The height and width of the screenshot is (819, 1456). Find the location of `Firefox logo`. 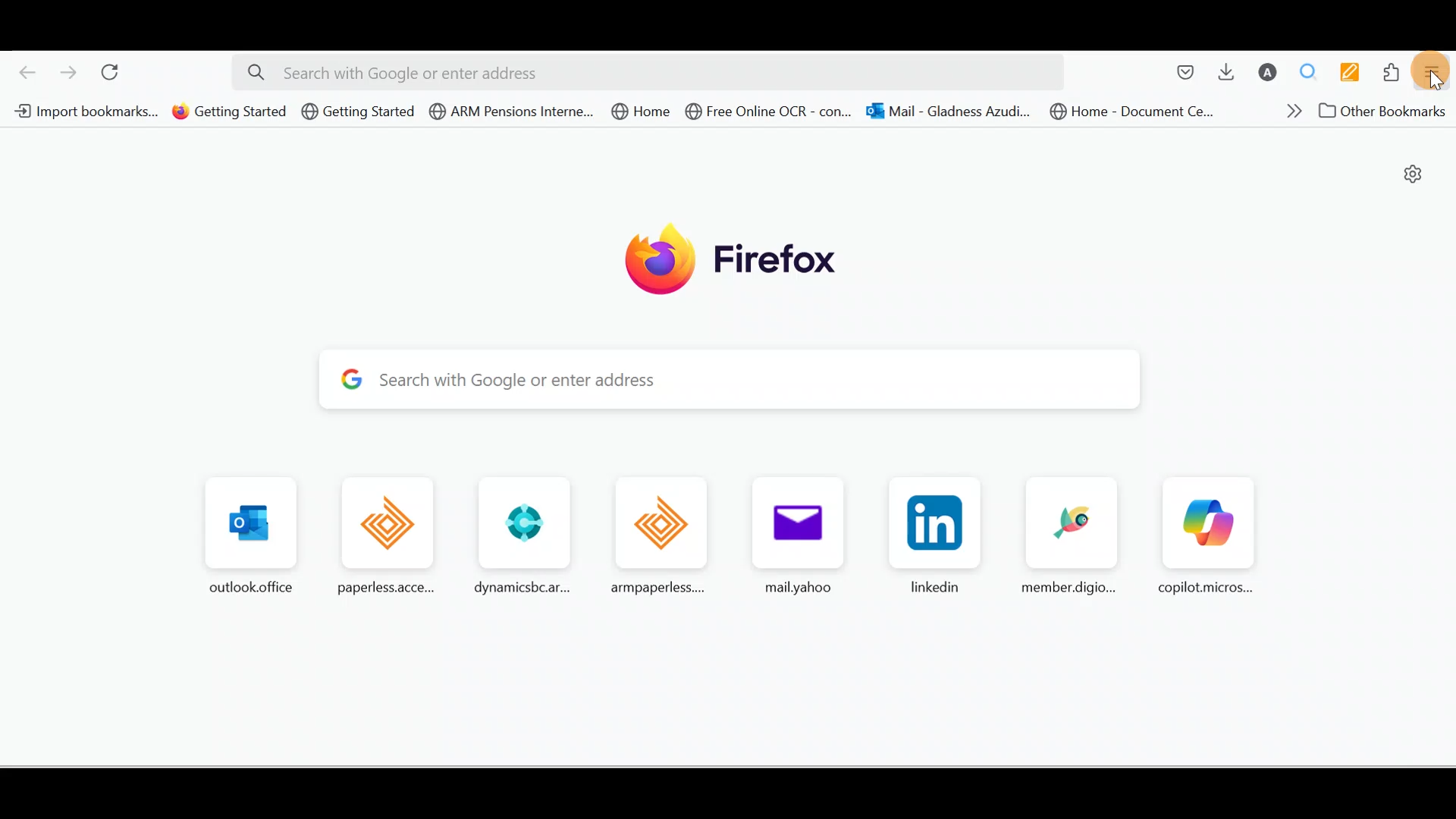

Firefox logo is located at coordinates (745, 259).